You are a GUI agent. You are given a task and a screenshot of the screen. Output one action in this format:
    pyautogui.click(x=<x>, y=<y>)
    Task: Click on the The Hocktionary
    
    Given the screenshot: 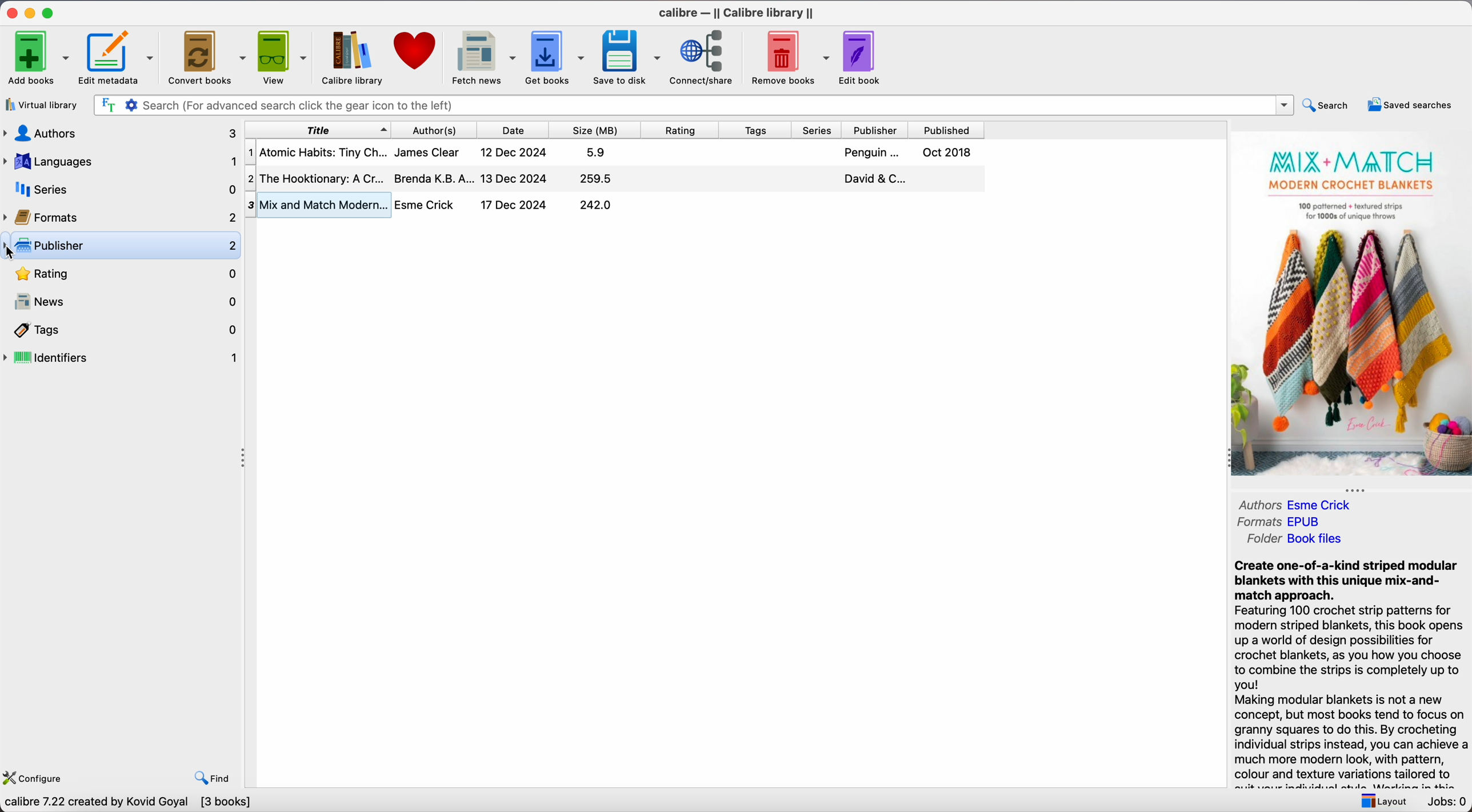 What is the action you would take?
    pyautogui.click(x=614, y=177)
    